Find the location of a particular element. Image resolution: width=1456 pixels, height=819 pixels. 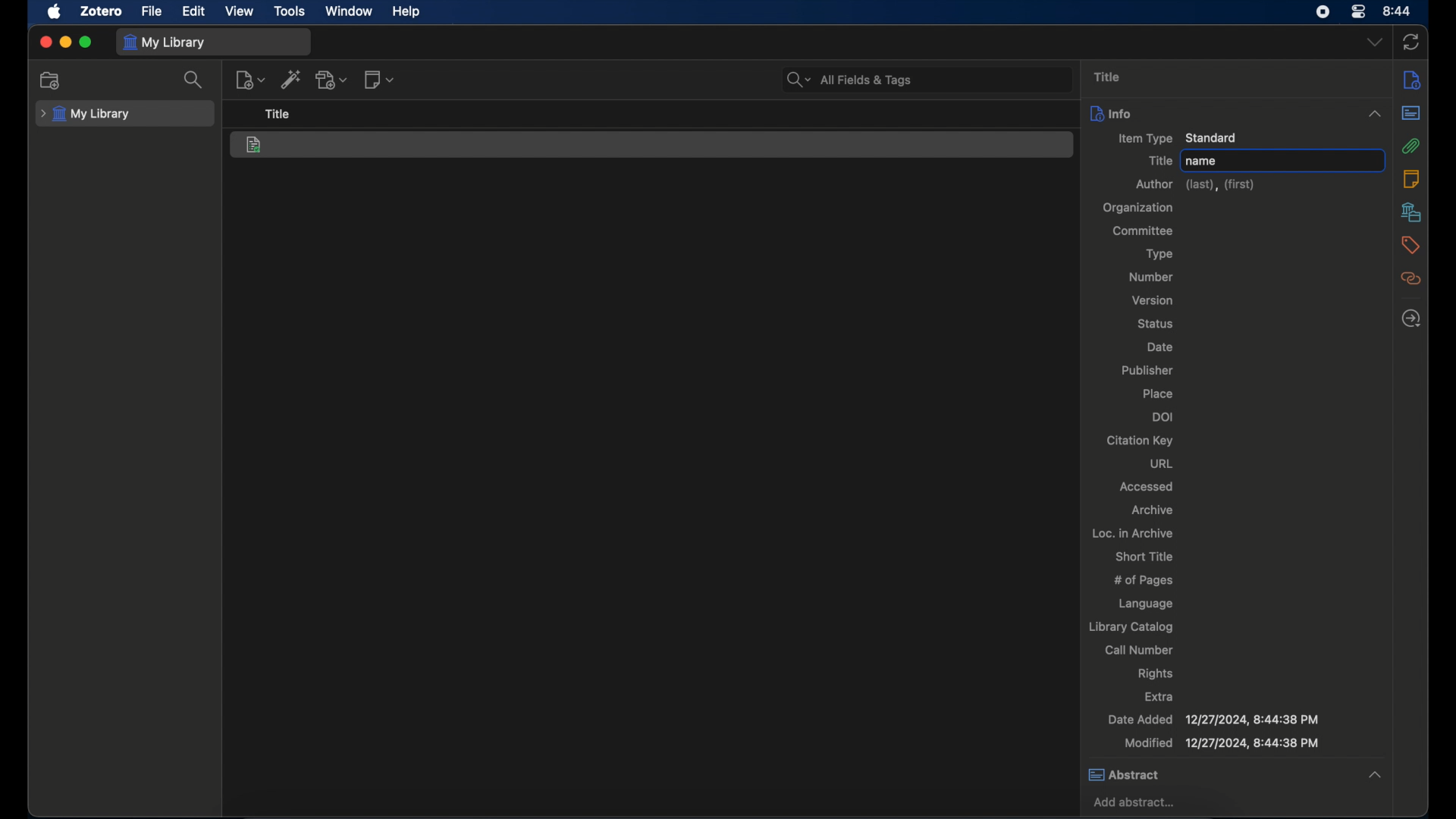

library catalog is located at coordinates (1131, 628).